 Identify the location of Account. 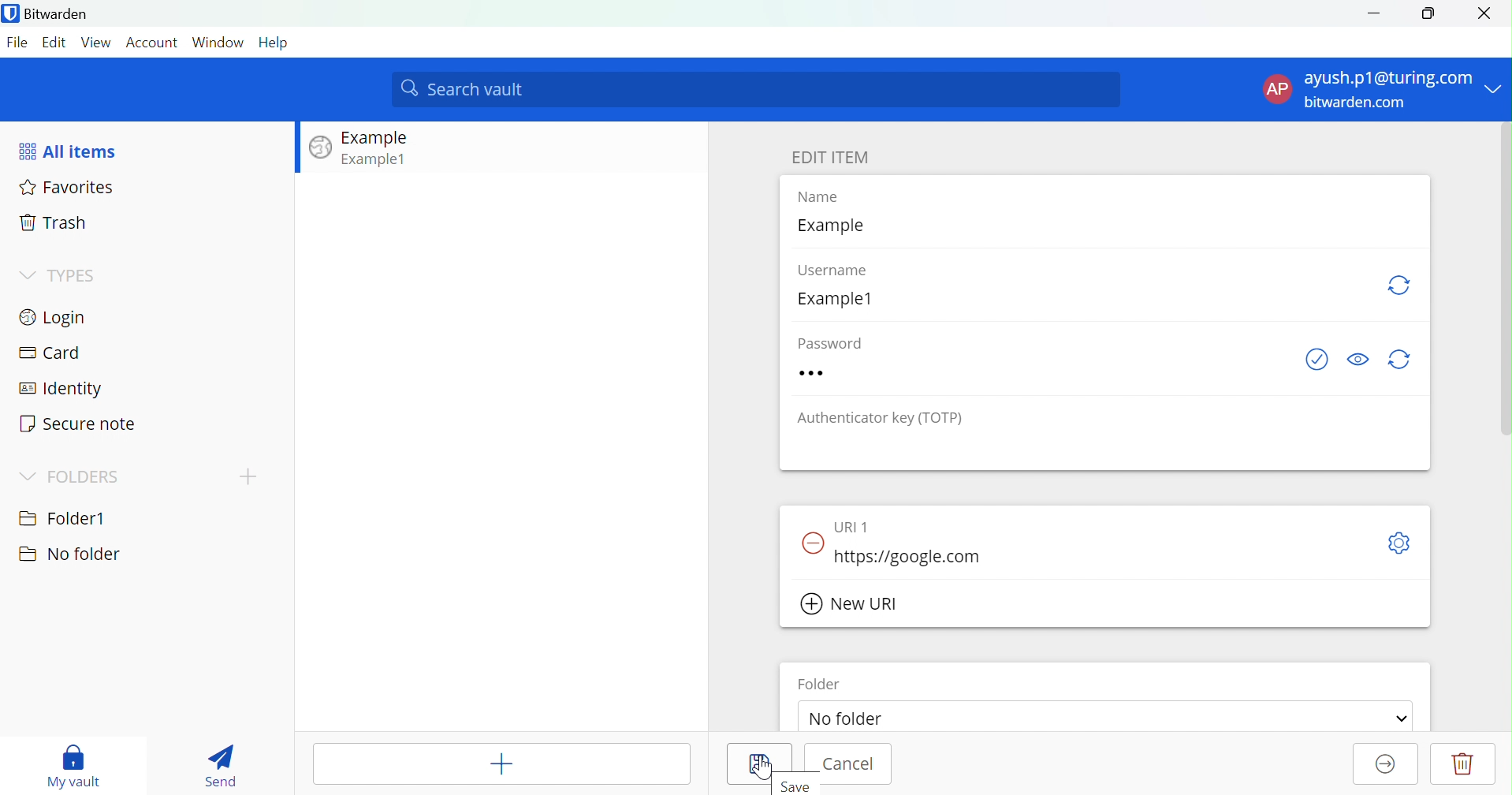
(153, 43).